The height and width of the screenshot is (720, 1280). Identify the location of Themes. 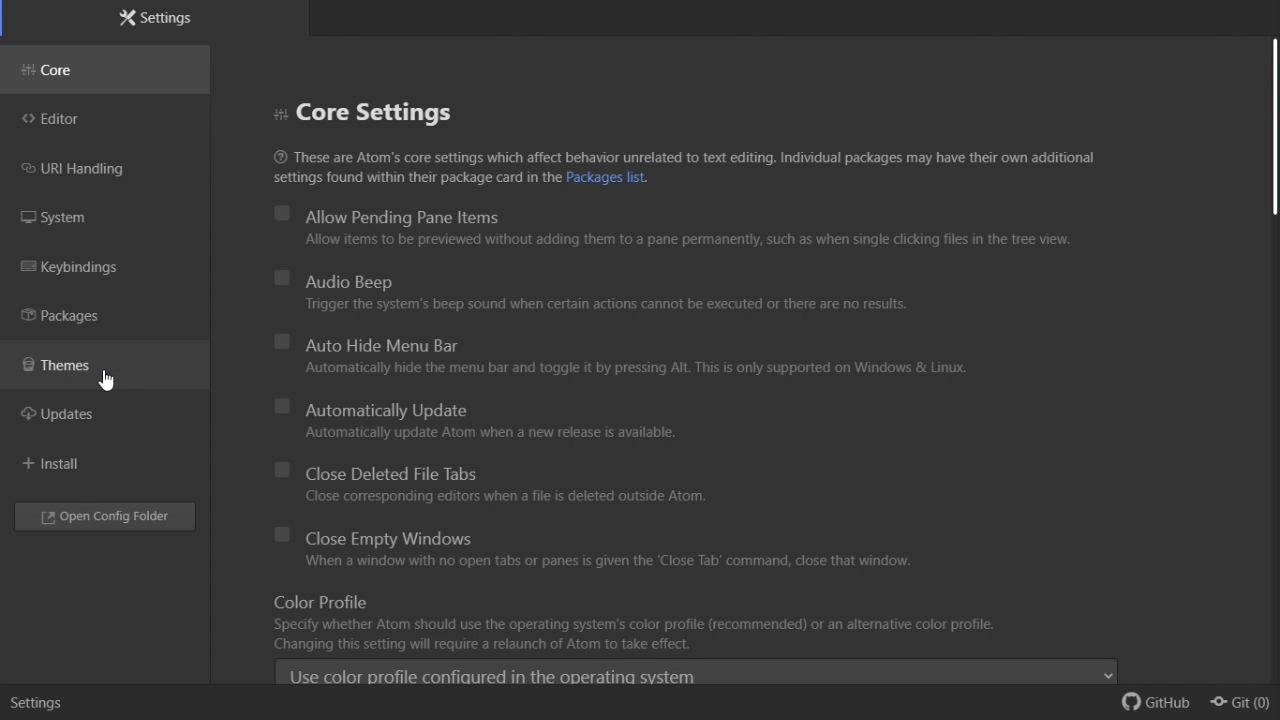
(76, 371).